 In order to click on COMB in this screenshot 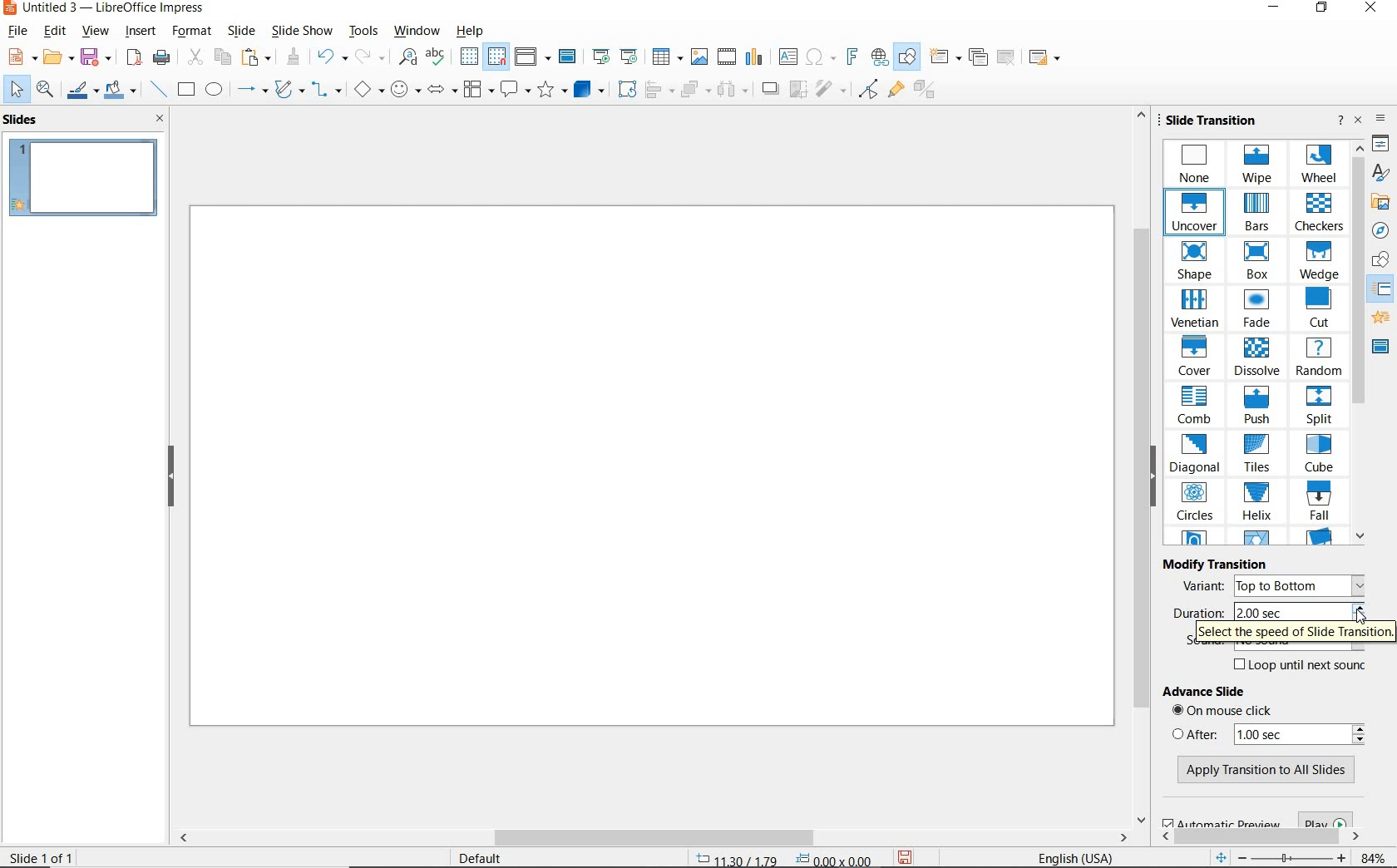, I will do `click(1196, 406)`.